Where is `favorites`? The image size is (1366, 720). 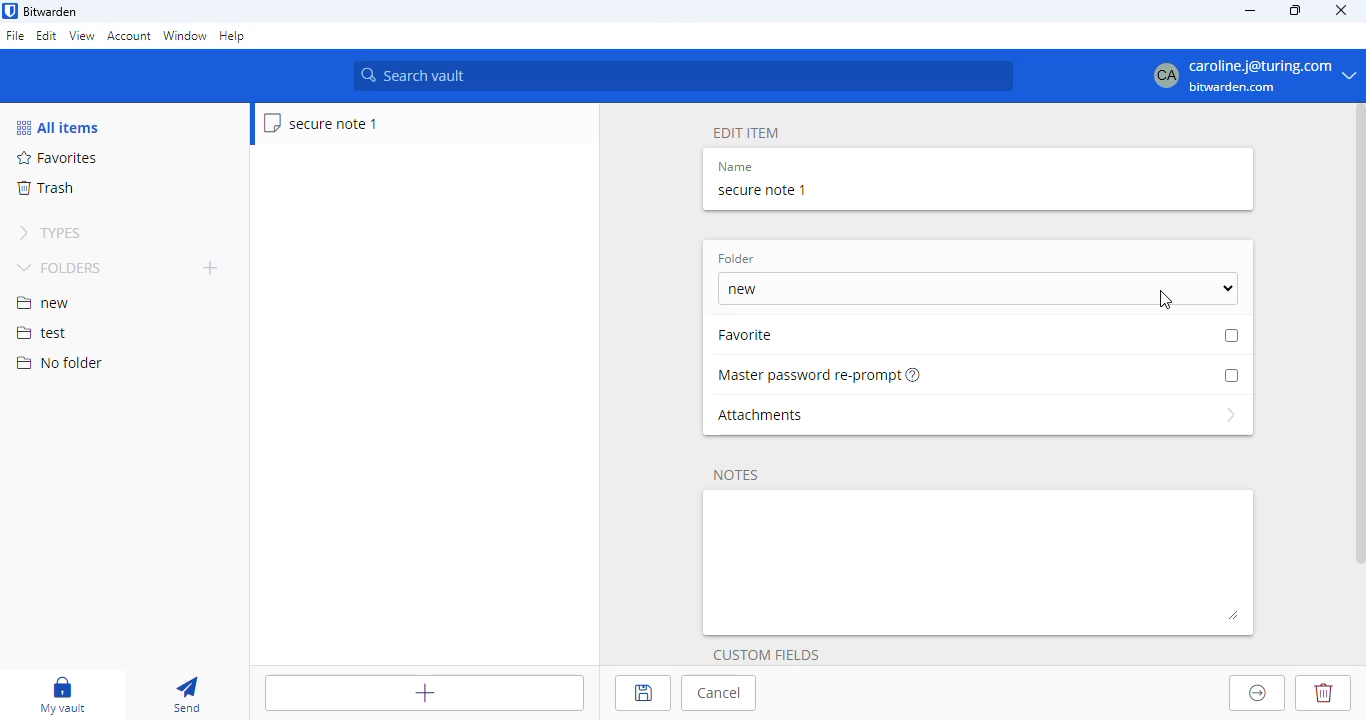
favorites is located at coordinates (58, 158).